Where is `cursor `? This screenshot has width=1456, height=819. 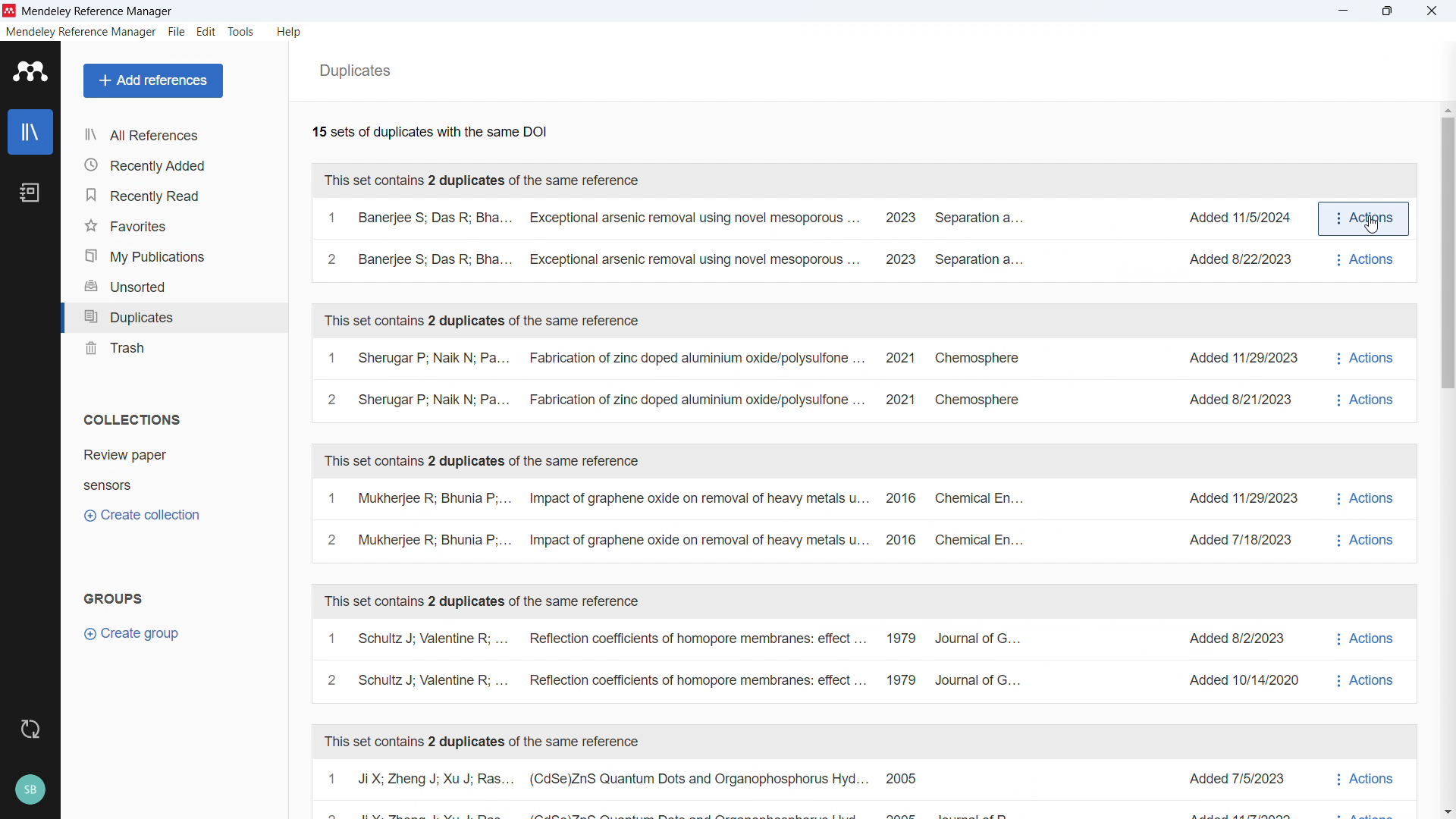
cursor  is located at coordinates (1373, 224).